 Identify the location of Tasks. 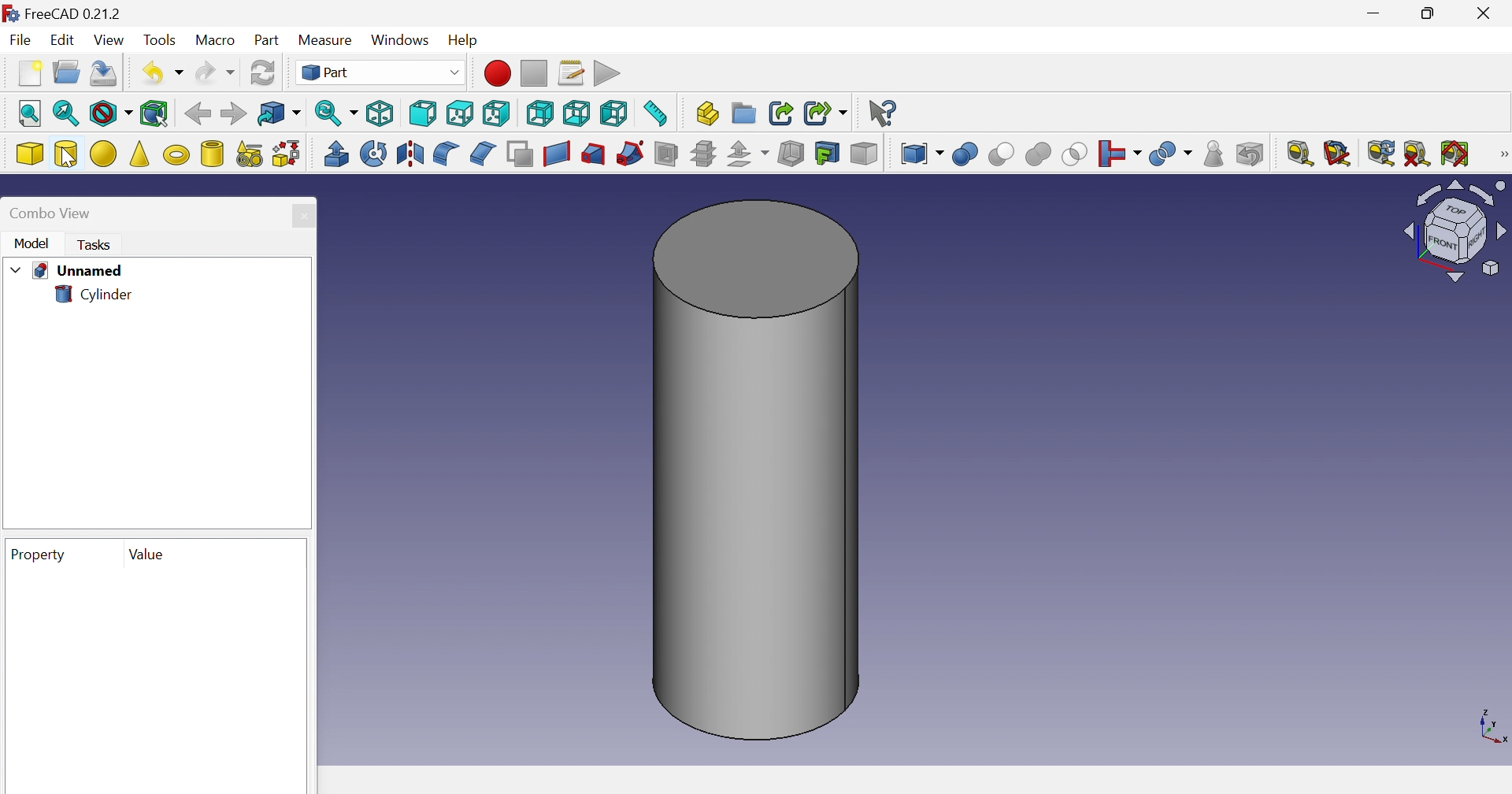
(95, 244).